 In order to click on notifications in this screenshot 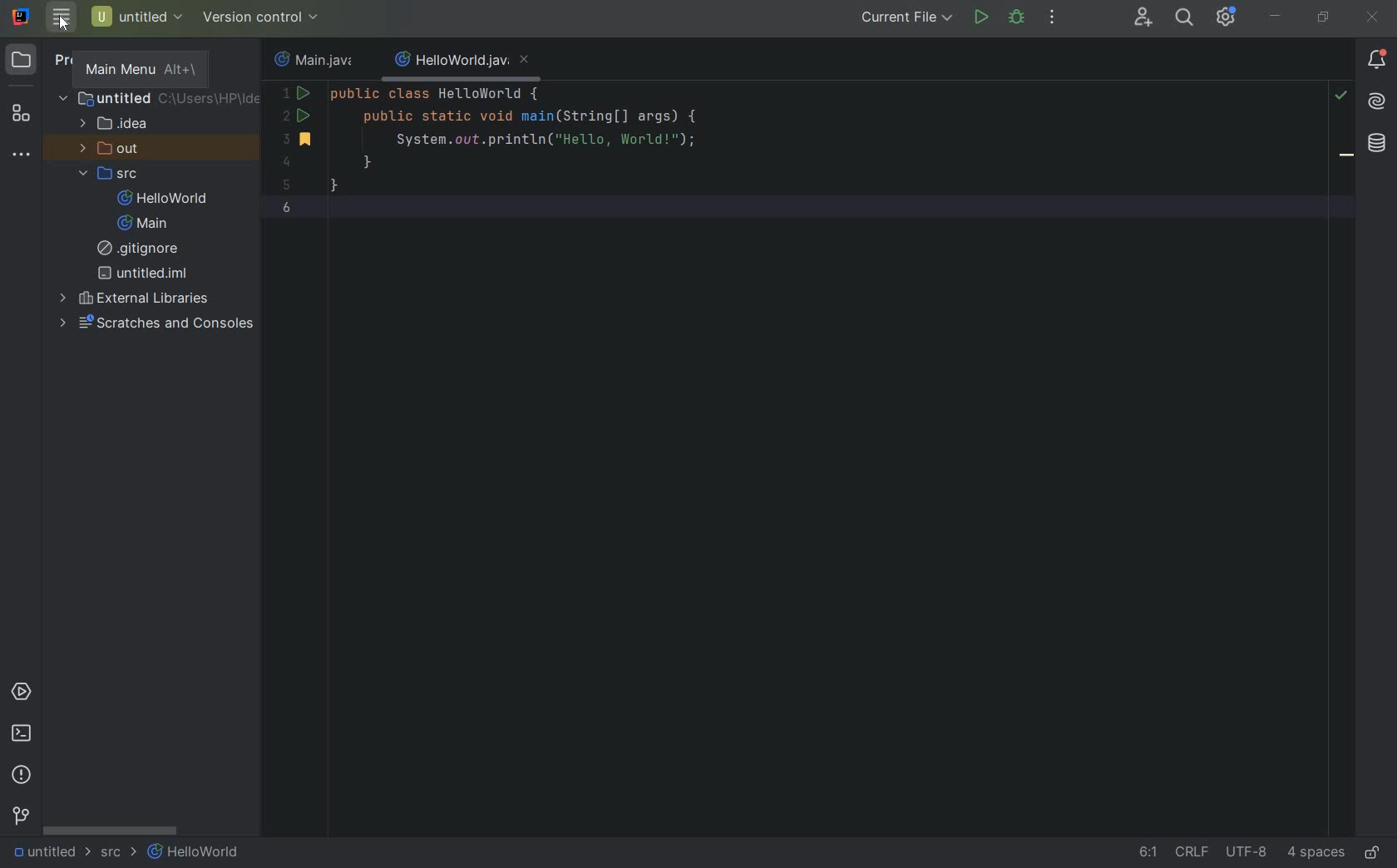, I will do `click(1376, 62)`.